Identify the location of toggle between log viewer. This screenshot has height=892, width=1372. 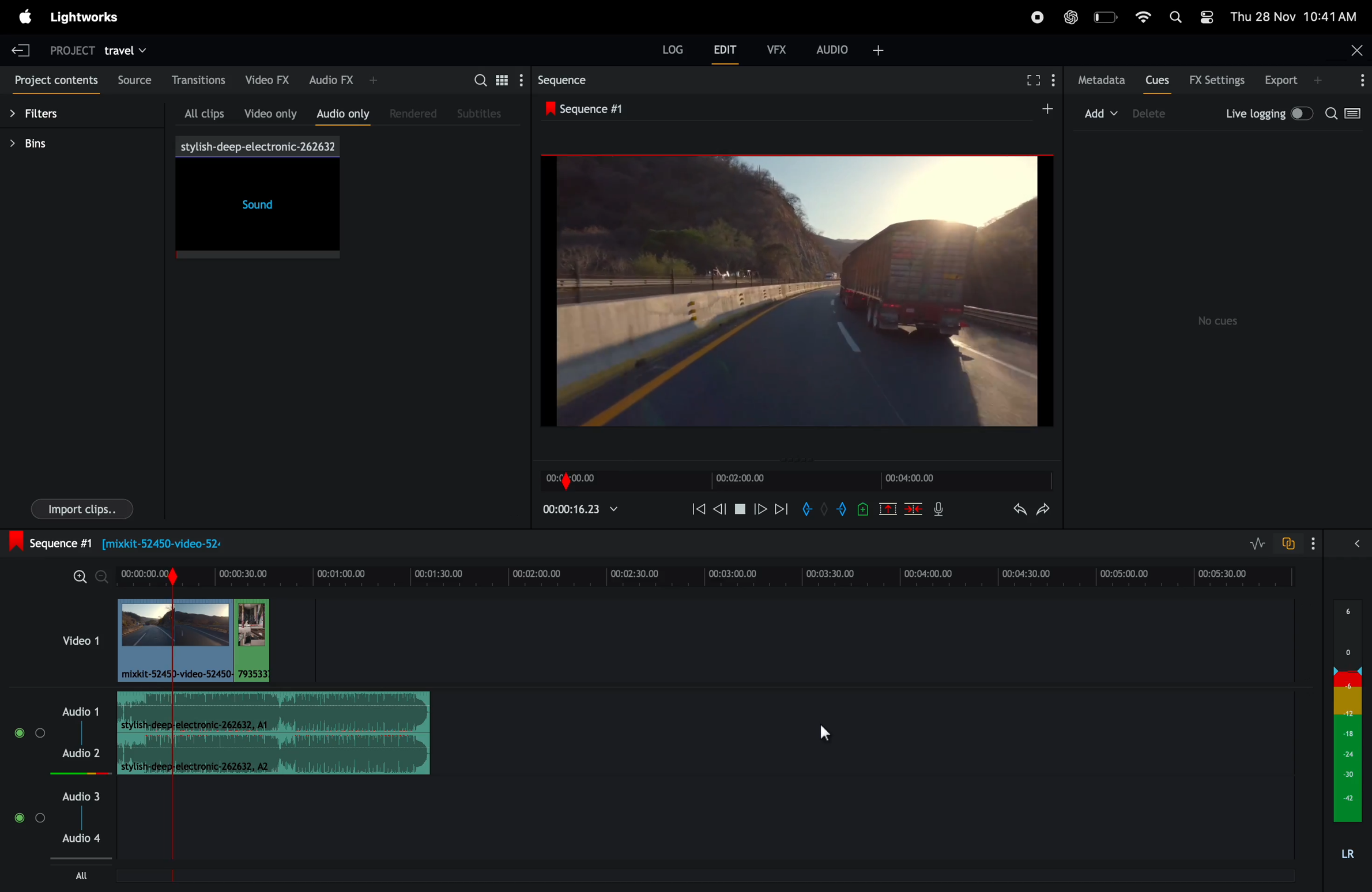
(1355, 114).